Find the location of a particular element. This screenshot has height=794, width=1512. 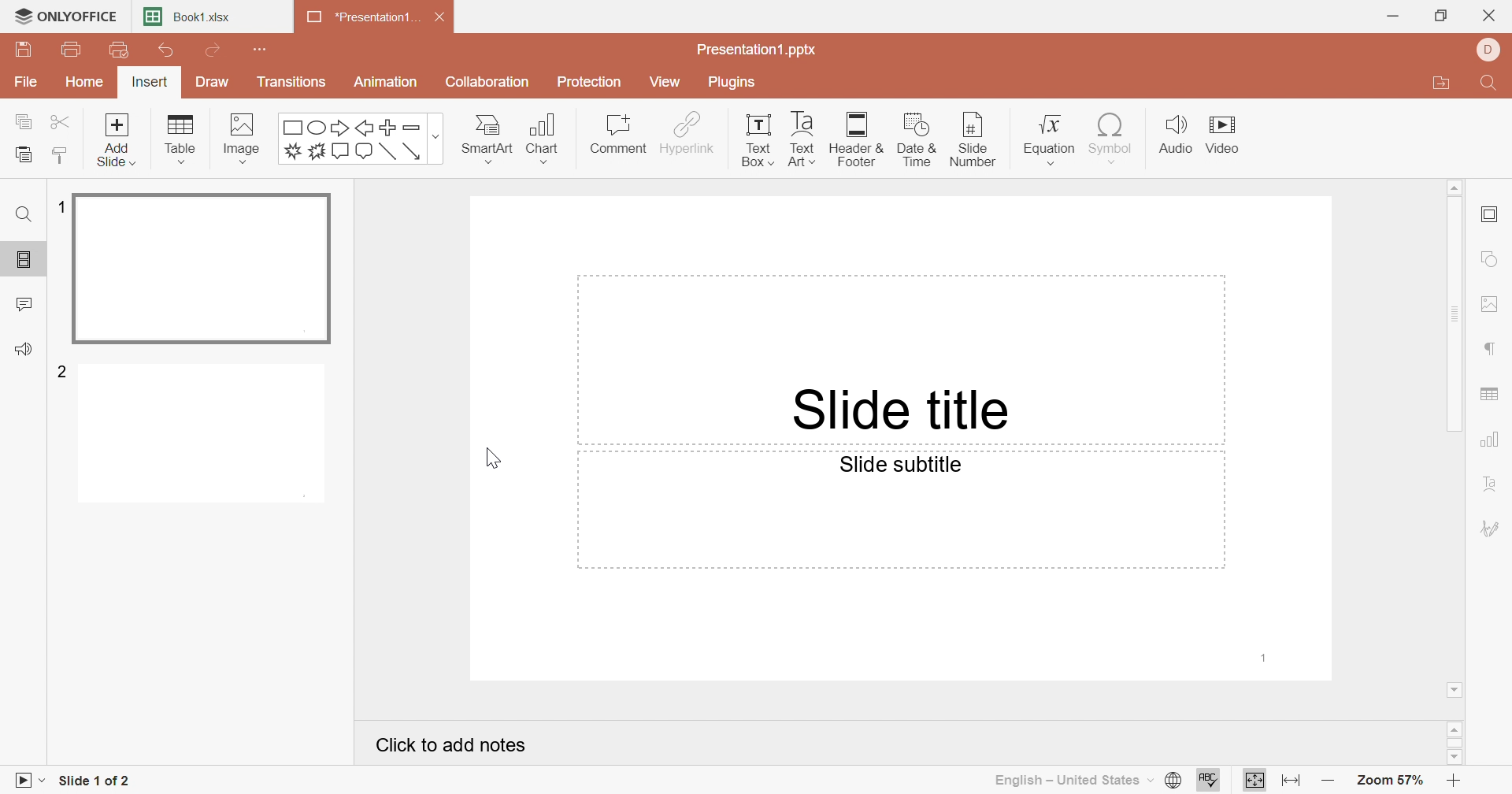

Slide title is located at coordinates (897, 408).